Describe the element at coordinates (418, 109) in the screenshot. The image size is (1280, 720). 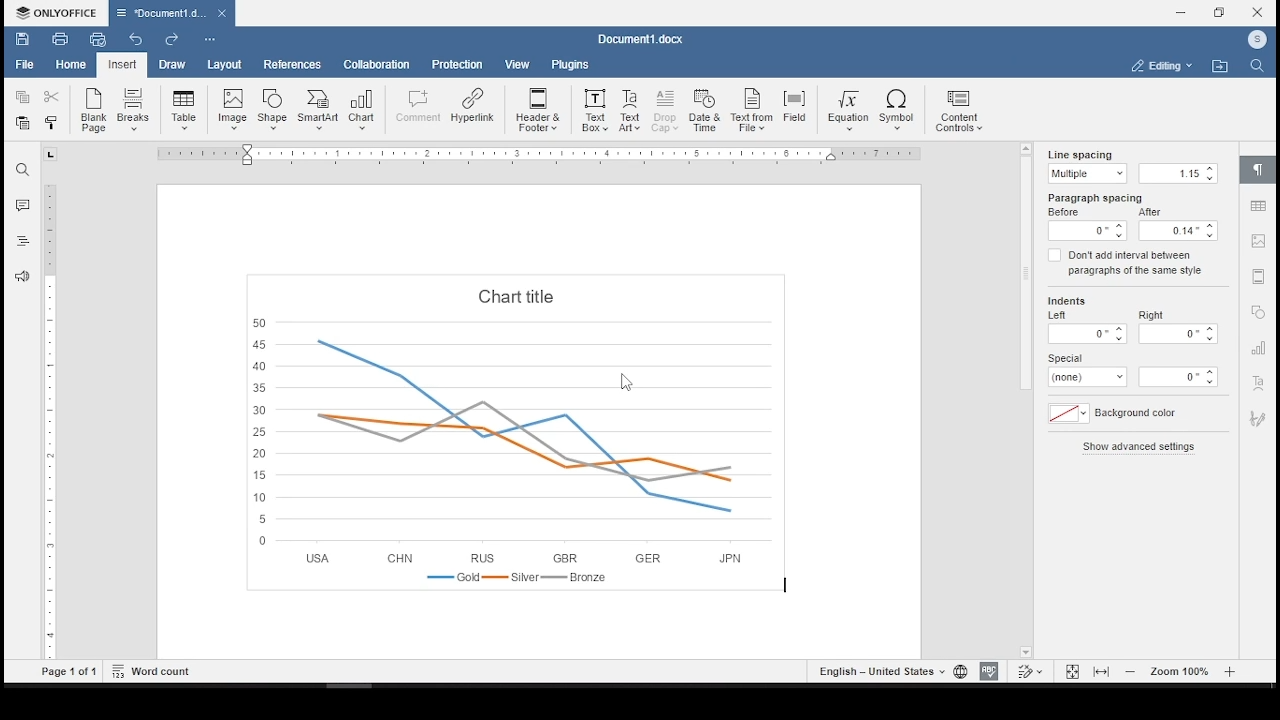
I see `comment` at that location.